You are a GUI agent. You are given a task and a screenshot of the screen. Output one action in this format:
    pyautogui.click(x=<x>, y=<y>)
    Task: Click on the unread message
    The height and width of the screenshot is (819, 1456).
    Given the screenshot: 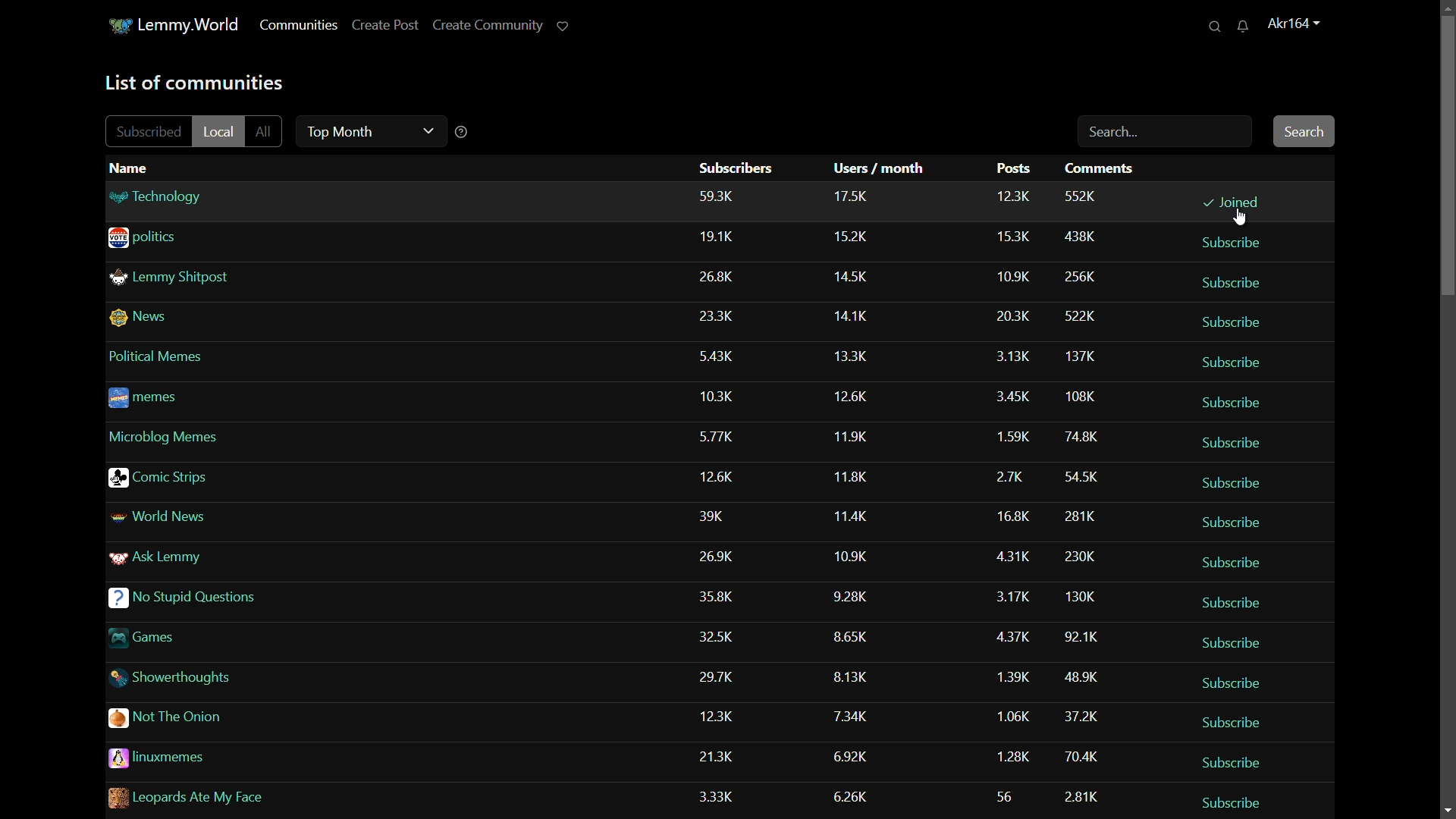 What is the action you would take?
    pyautogui.click(x=1248, y=27)
    